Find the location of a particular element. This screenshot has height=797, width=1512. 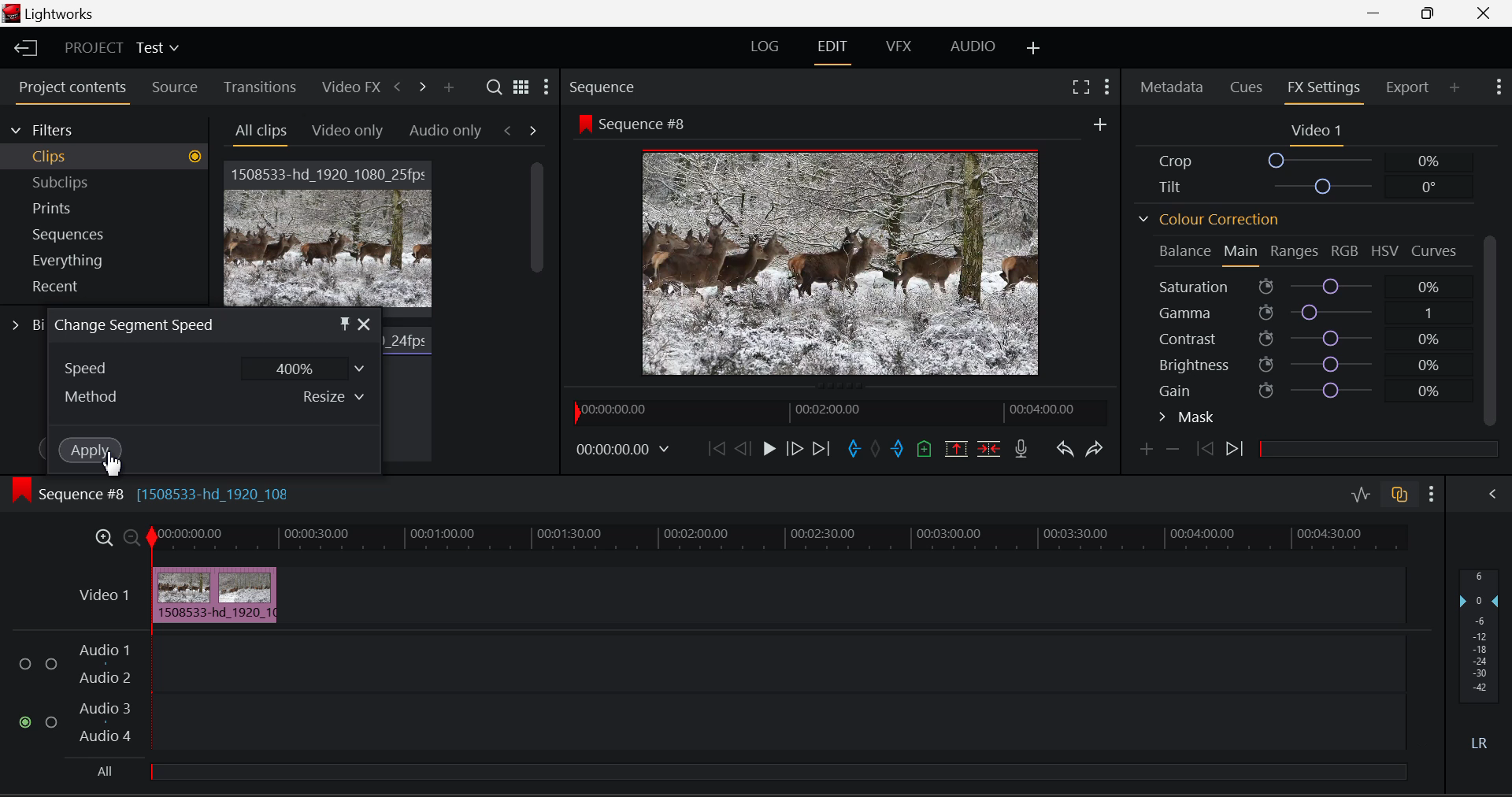

Brightness is located at coordinates (1307, 367).